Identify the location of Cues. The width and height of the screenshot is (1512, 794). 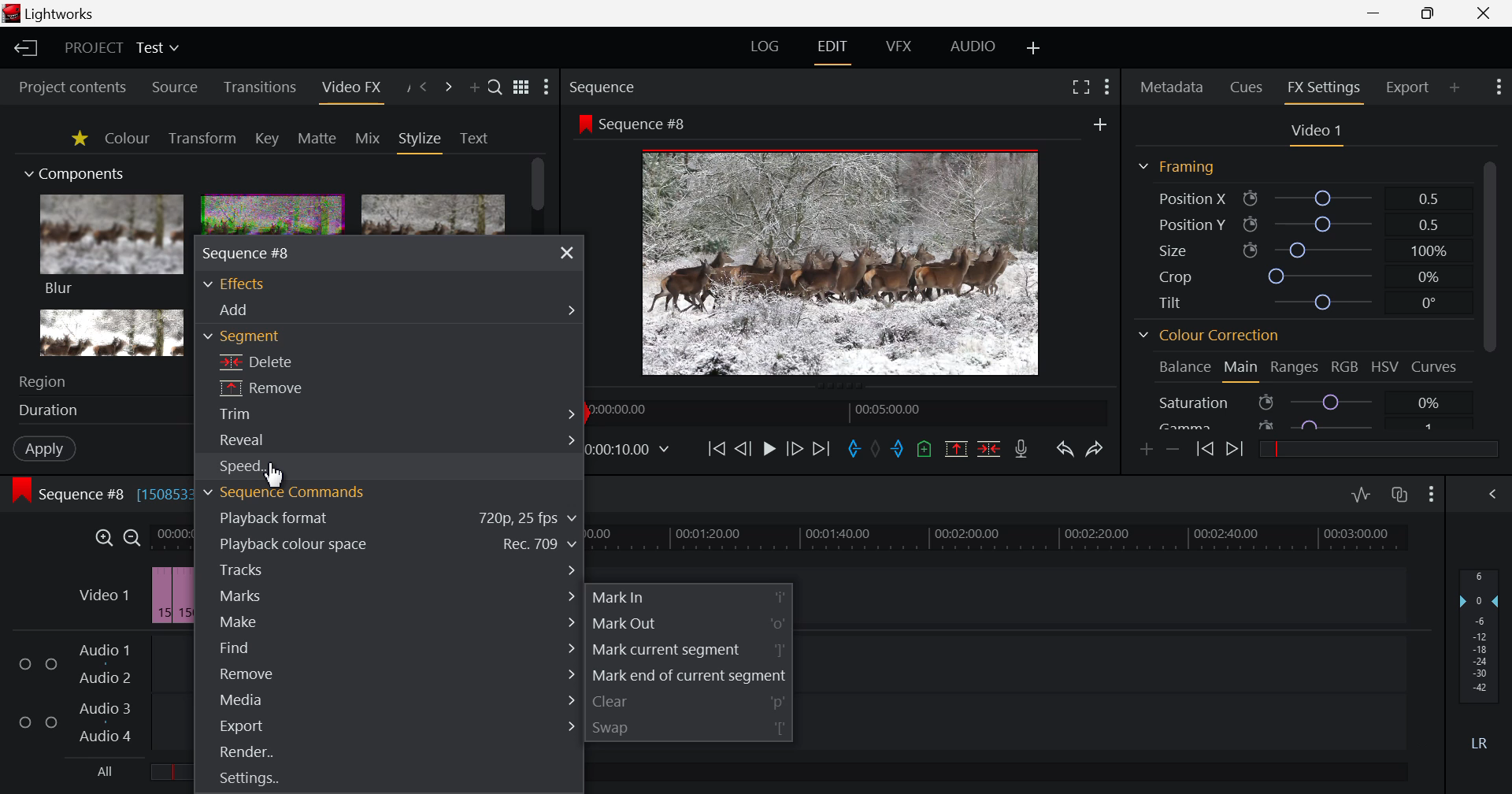
(1247, 88).